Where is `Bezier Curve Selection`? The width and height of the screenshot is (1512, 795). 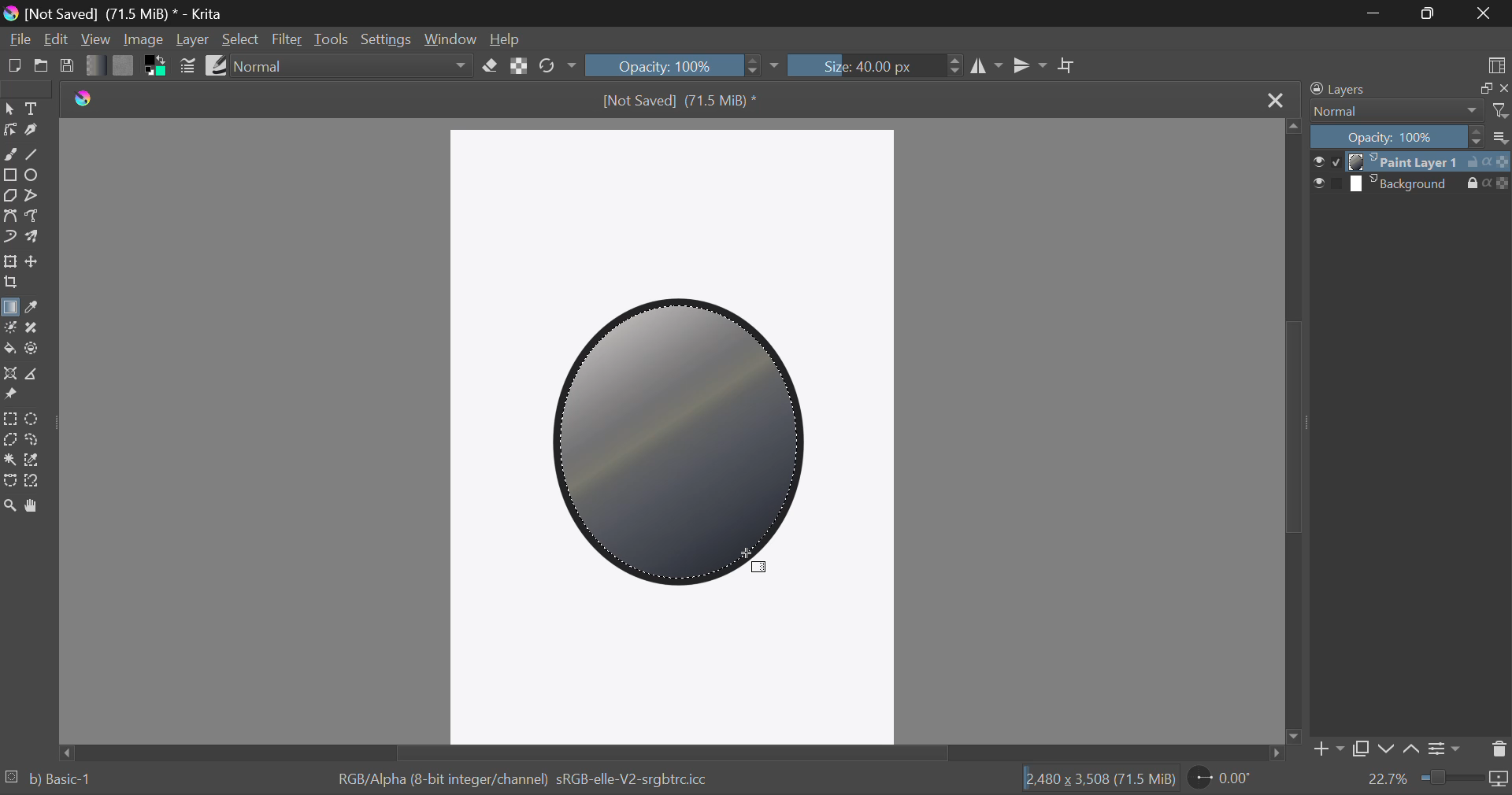 Bezier Curve Selection is located at coordinates (10, 483).